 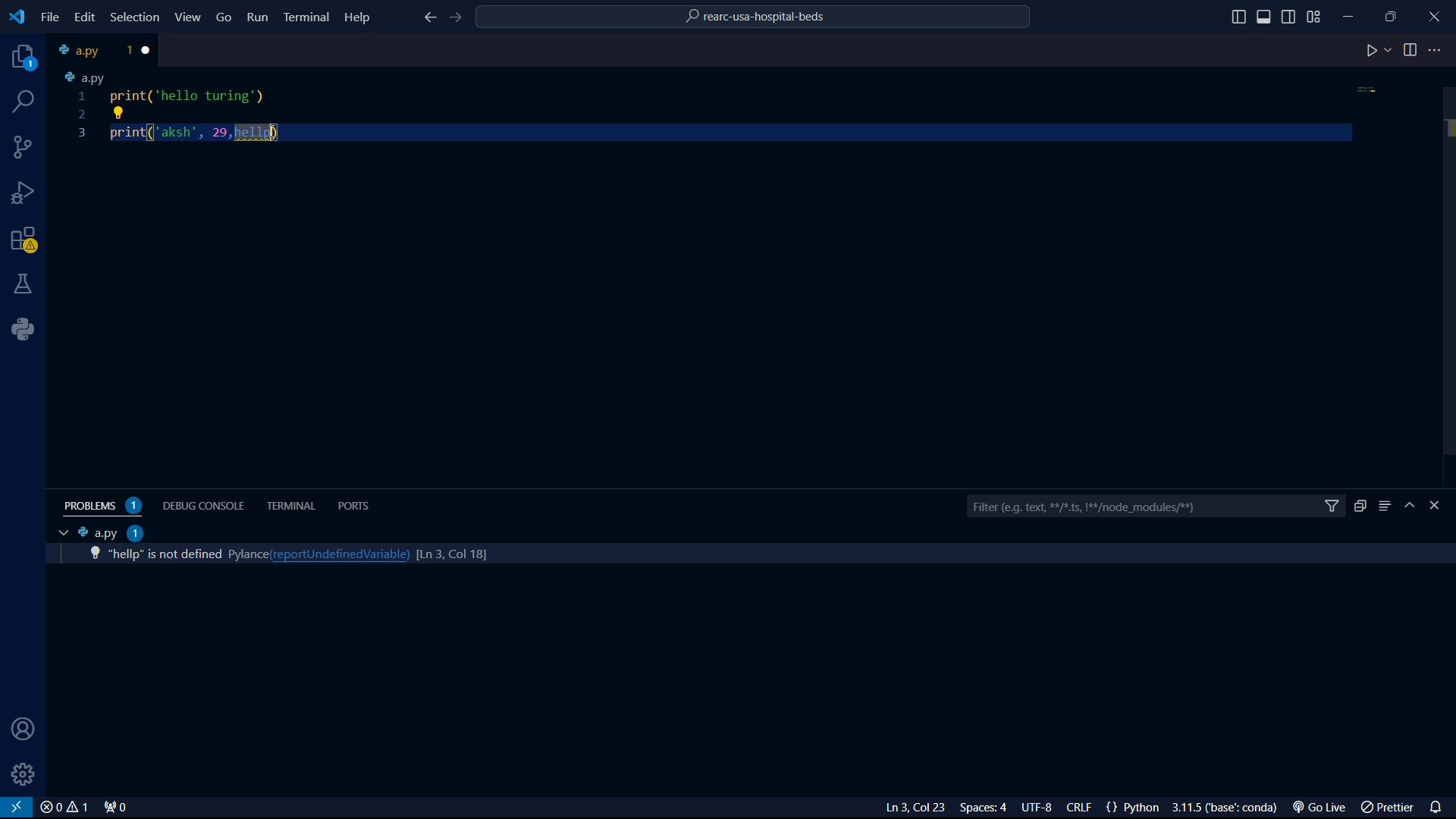 What do you see at coordinates (444, 552) in the screenshot?
I see `line count` at bounding box center [444, 552].